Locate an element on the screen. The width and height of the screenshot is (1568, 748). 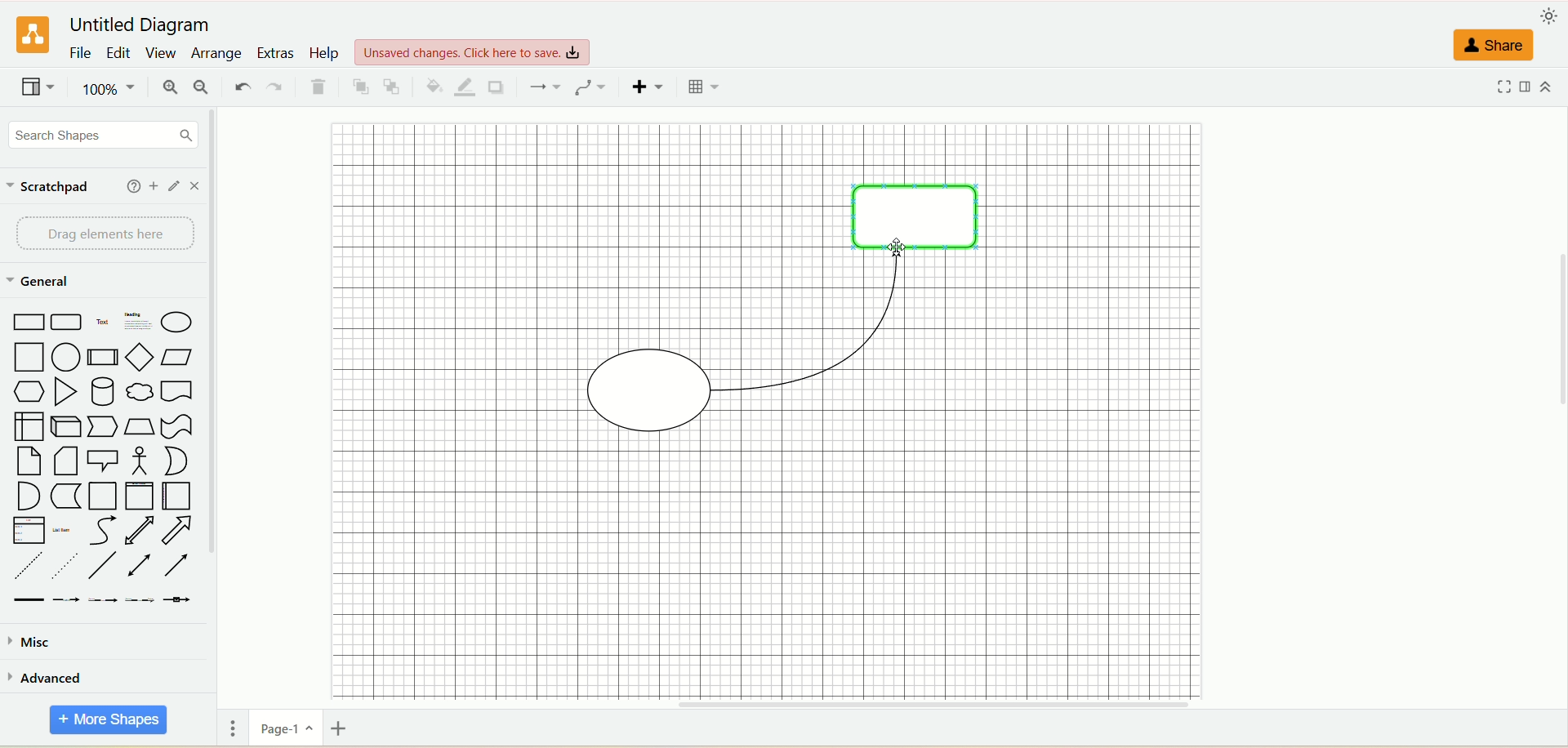
title is located at coordinates (153, 25).